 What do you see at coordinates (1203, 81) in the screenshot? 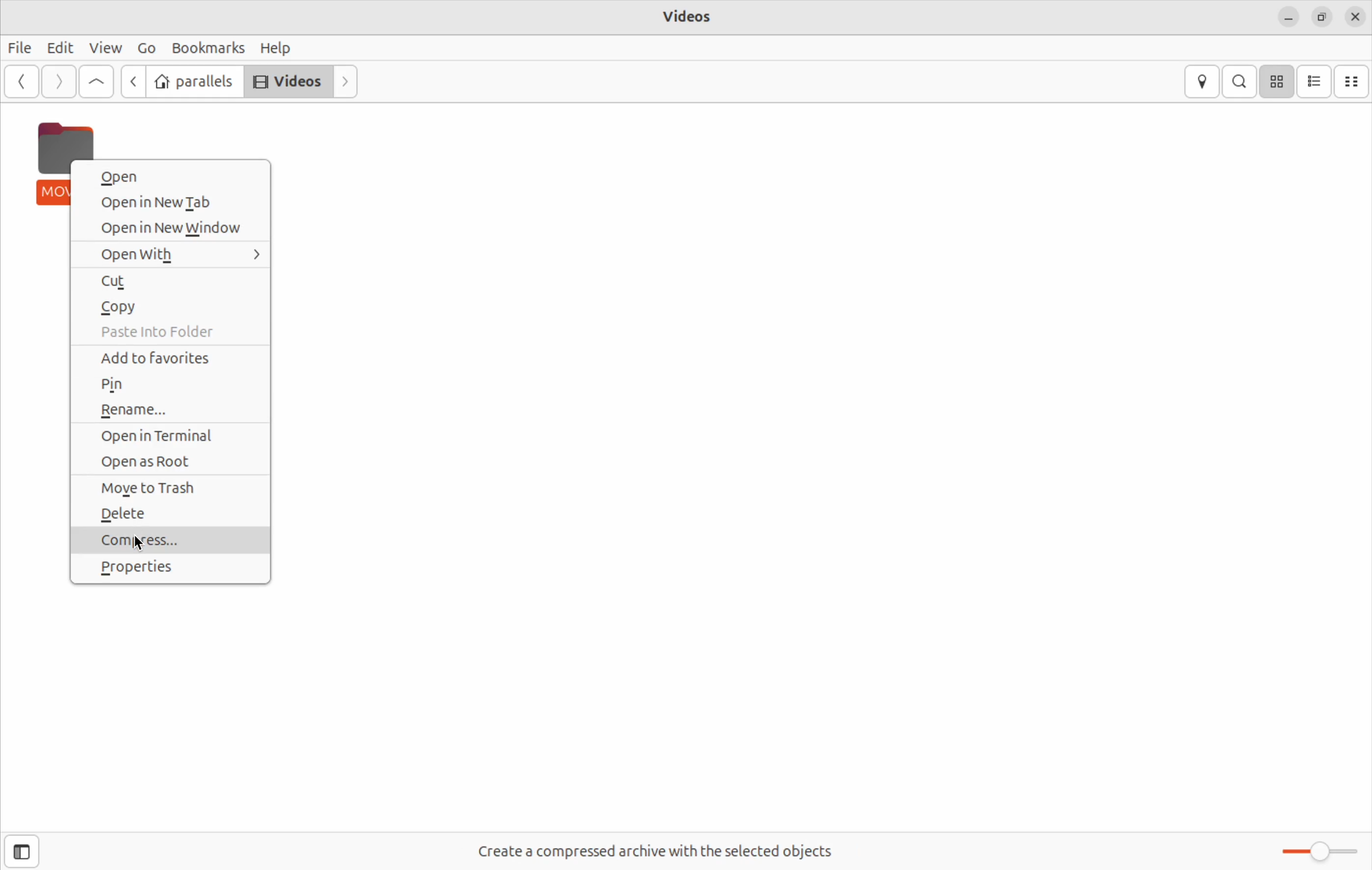
I see `locations` at bounding box center [1203, 81].